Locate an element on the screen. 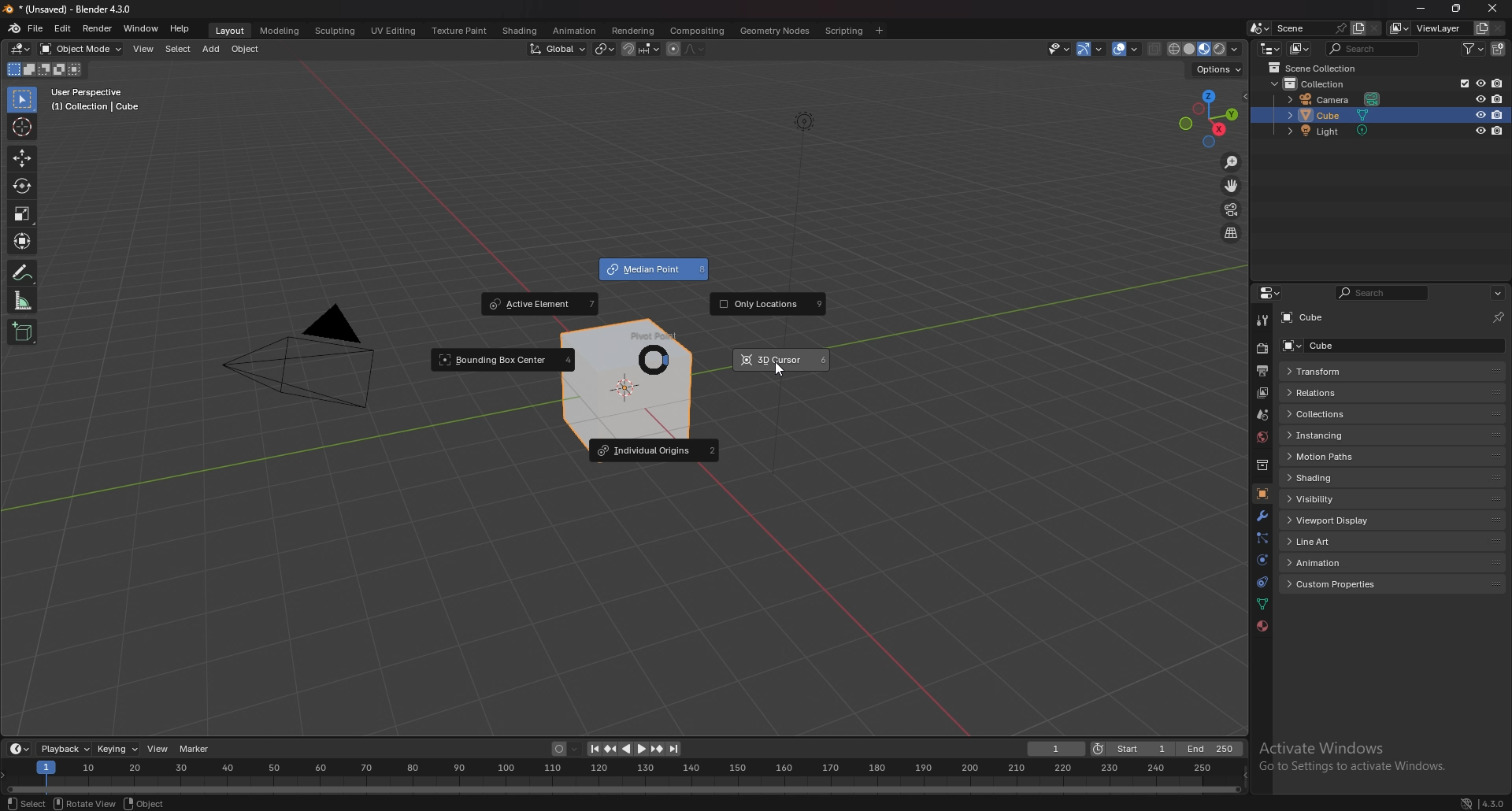 The width and height of the screenshot is (1512, 811). scripting is located at coordinates (843, 31).